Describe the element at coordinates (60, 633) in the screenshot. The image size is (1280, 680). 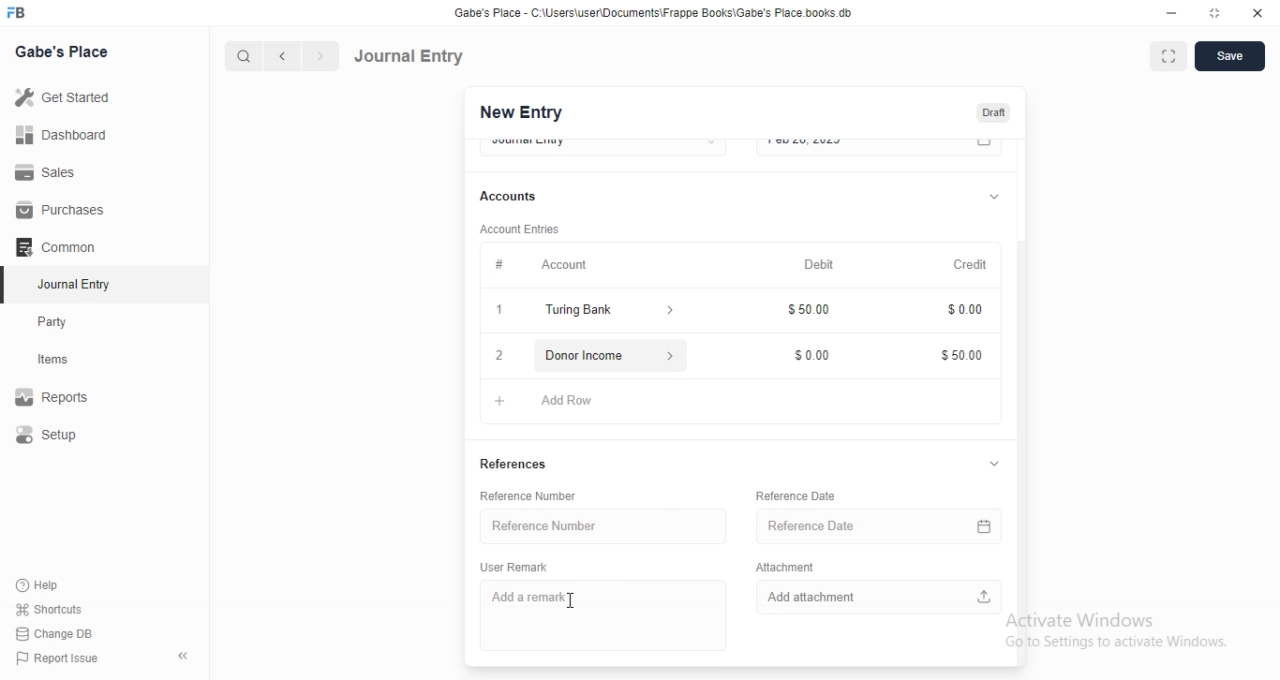
I see `Change DB` at that location.